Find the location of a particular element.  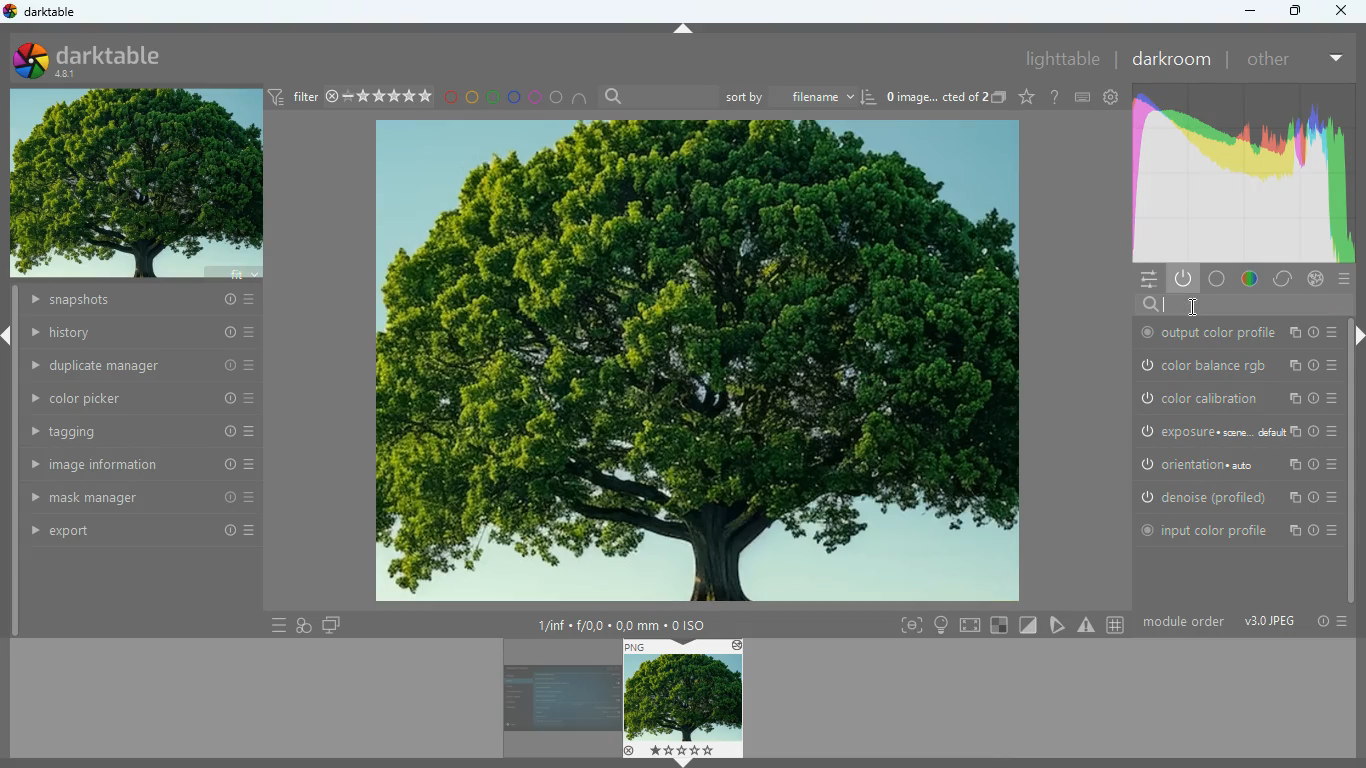

color calibration is located at coordinates (1235, 397).